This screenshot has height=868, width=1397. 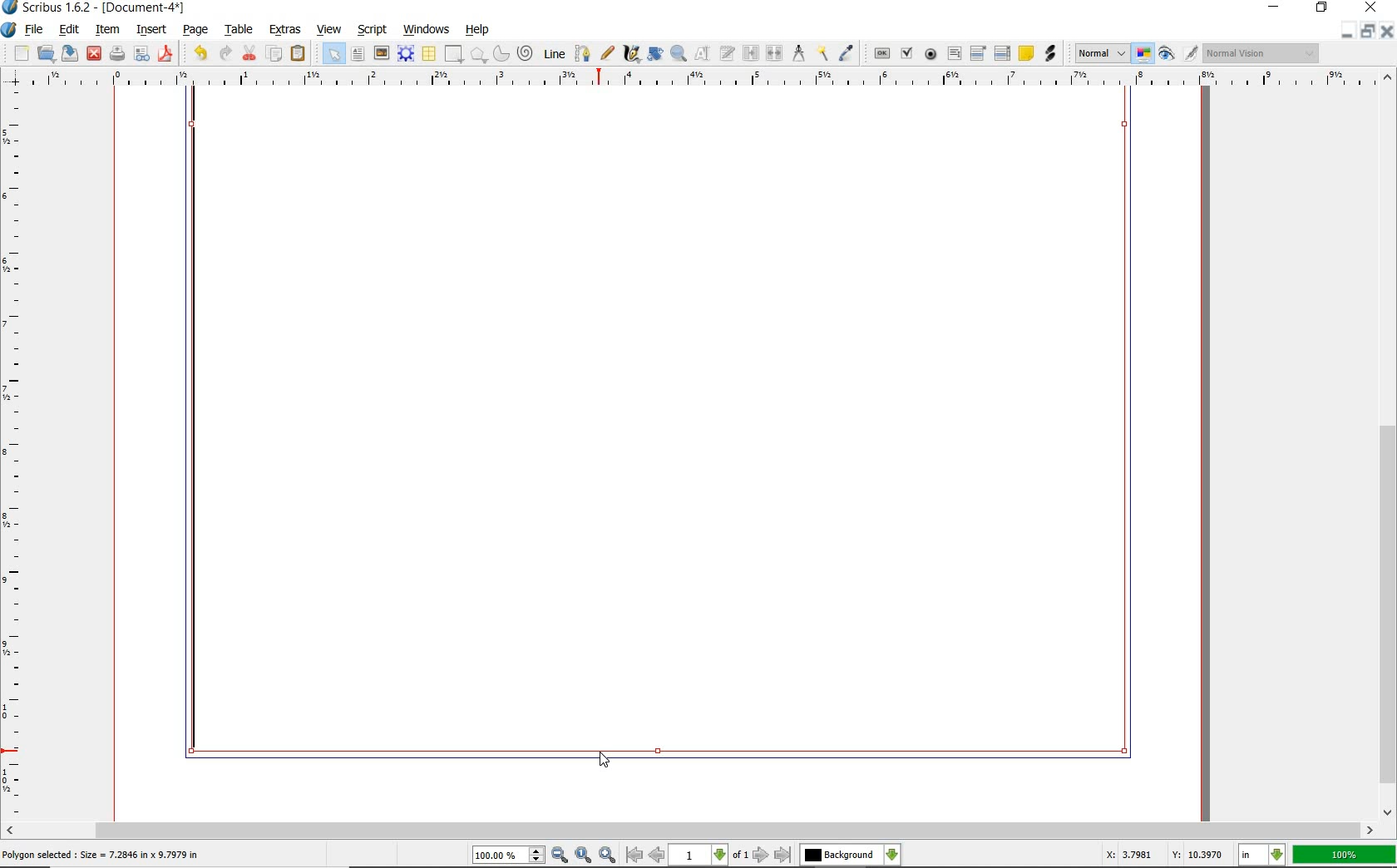 I want to click on link text frames, so click(x=748, y=52).